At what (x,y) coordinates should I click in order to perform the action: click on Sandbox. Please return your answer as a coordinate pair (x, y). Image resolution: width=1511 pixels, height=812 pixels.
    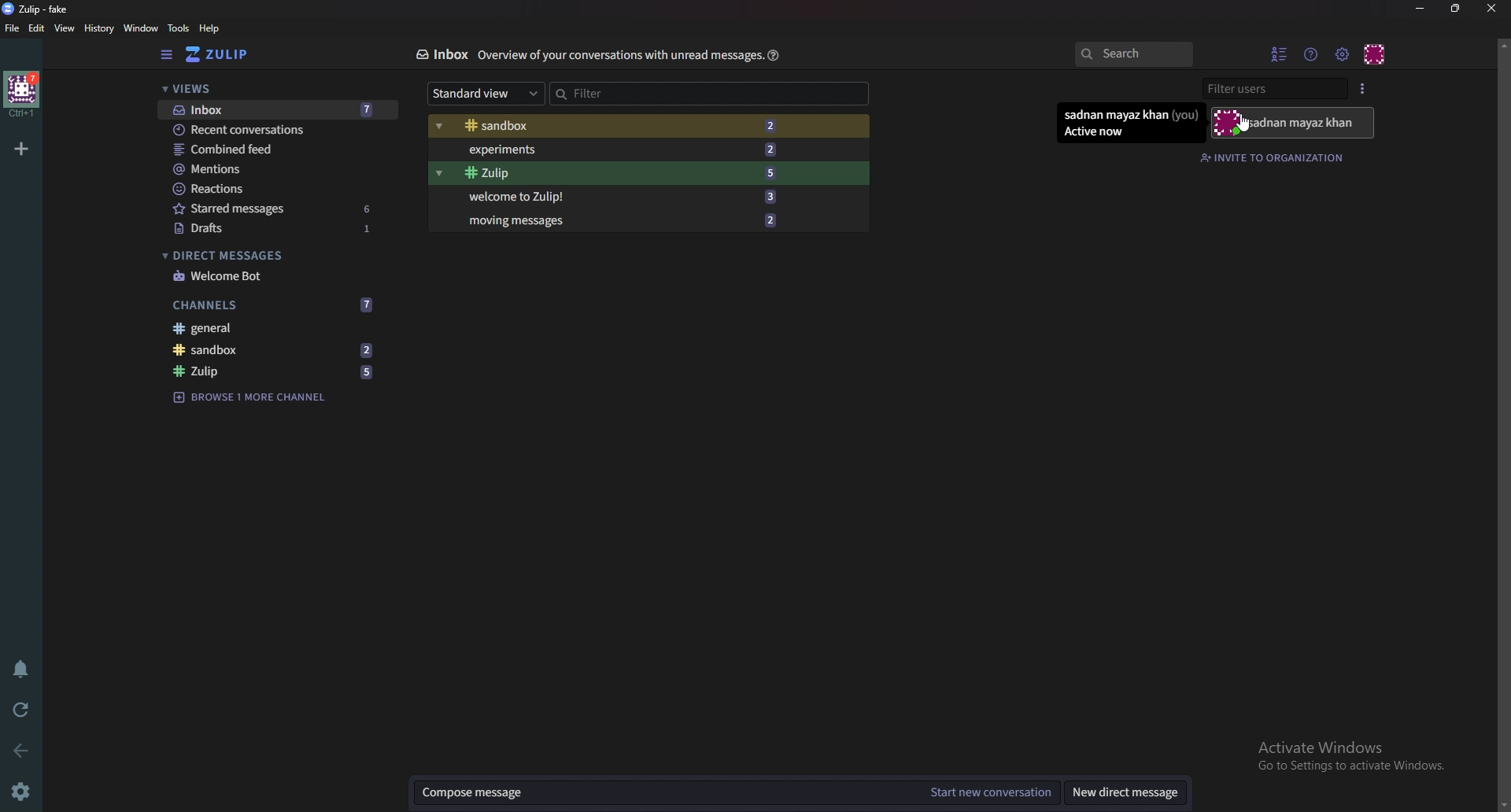
    Looking at the image, I should click on (272, 352).